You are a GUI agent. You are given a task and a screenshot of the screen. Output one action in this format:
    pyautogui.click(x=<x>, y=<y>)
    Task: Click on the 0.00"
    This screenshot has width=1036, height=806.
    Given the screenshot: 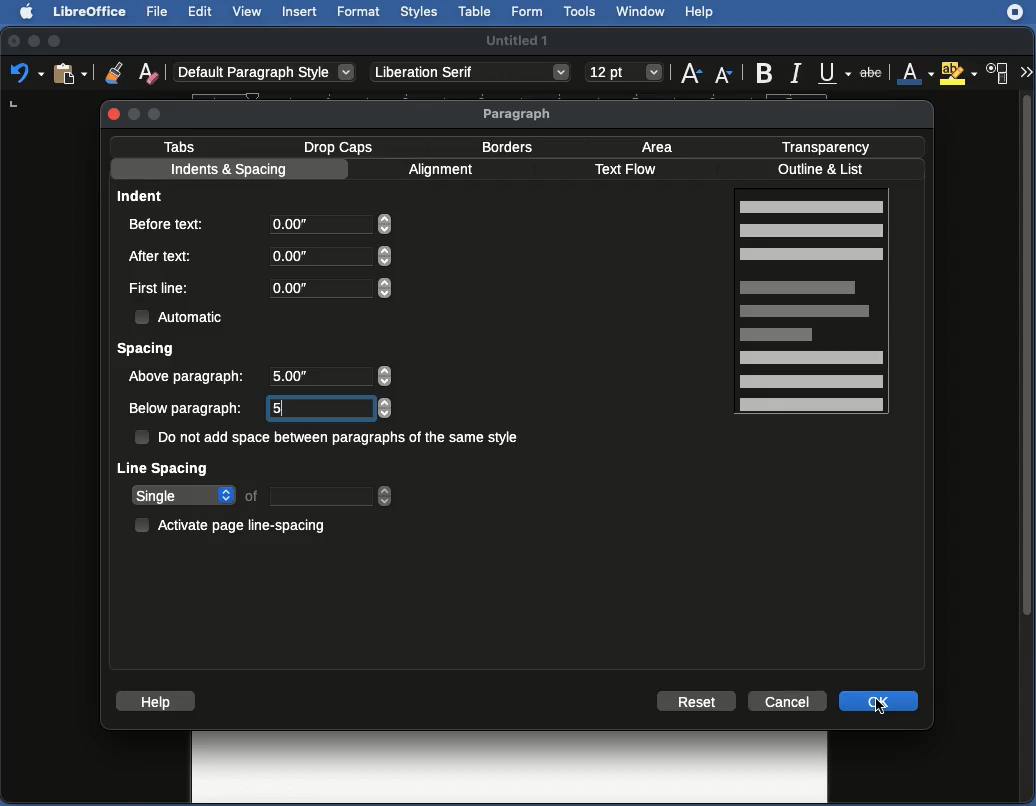 What is the action you would take?
    pyautogui.click(x=329, y=287)
    